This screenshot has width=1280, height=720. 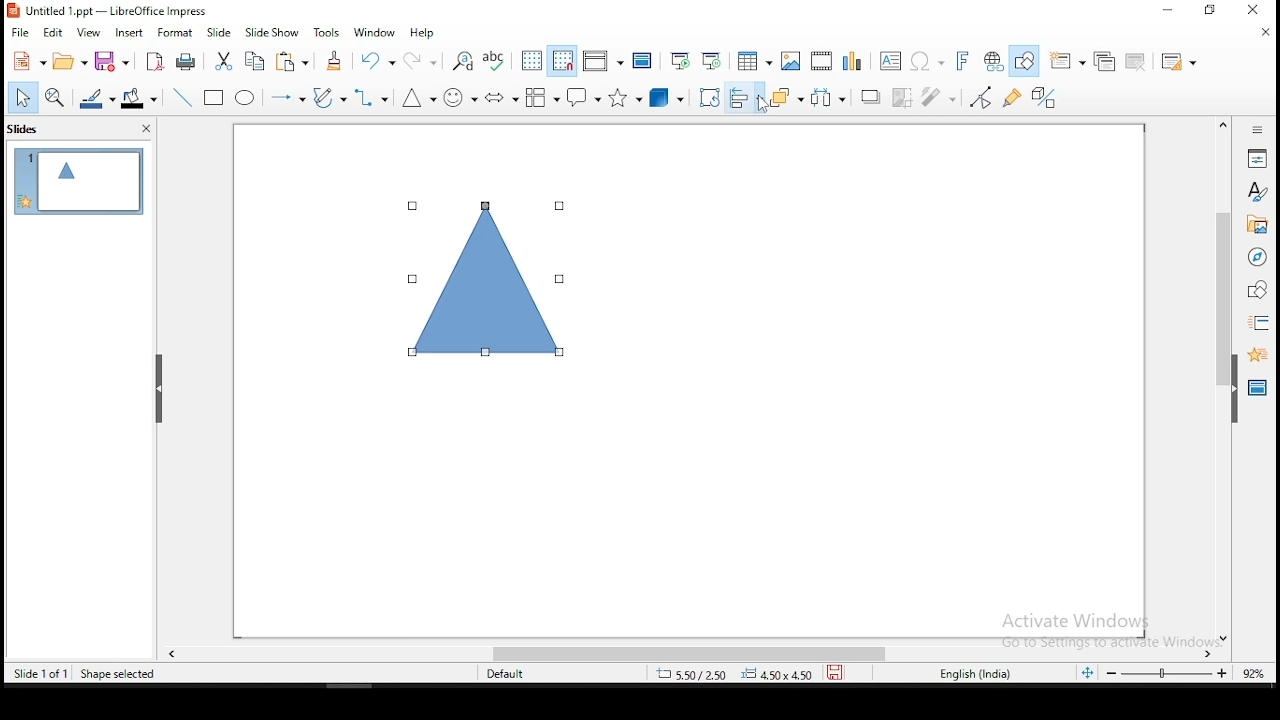 What do you see at coordinates (790, 59) in the screenshot?
I see `images` at bounding box center [790, 59].